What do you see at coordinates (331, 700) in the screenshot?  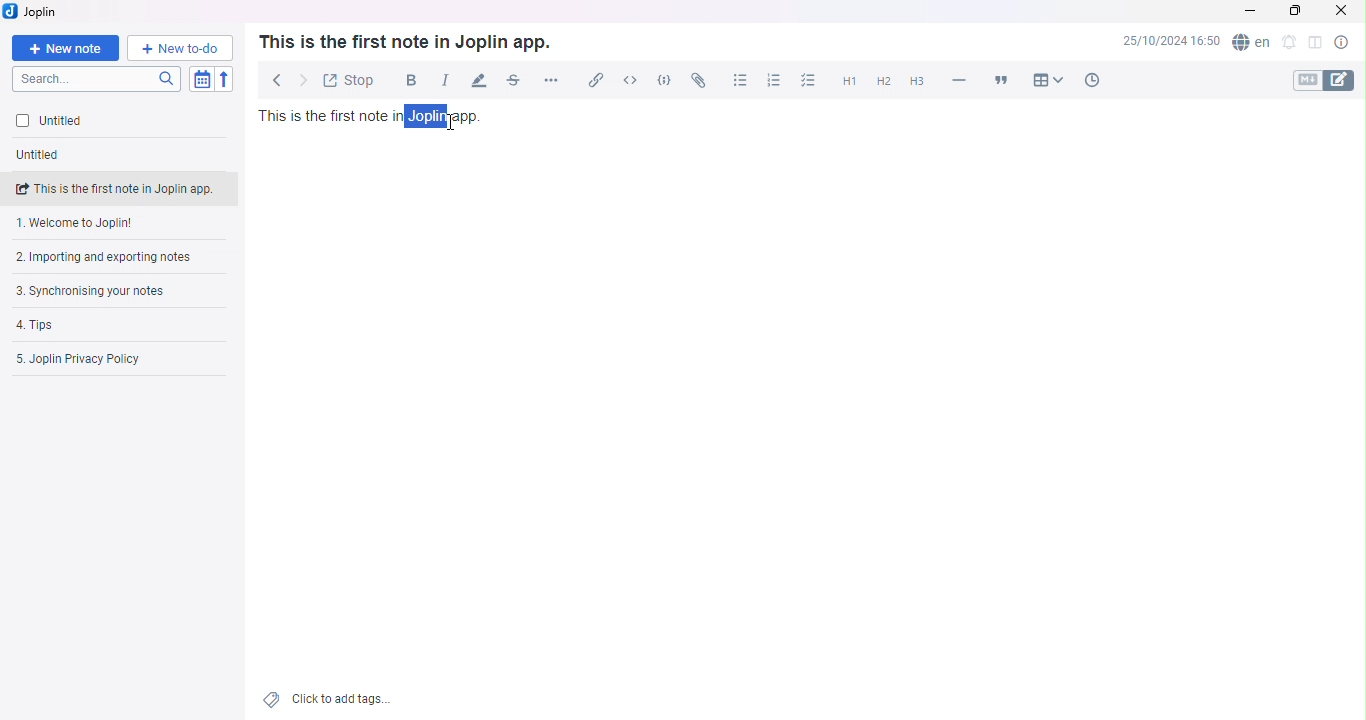 I see `Add tags` at bounding box center [331, 700].